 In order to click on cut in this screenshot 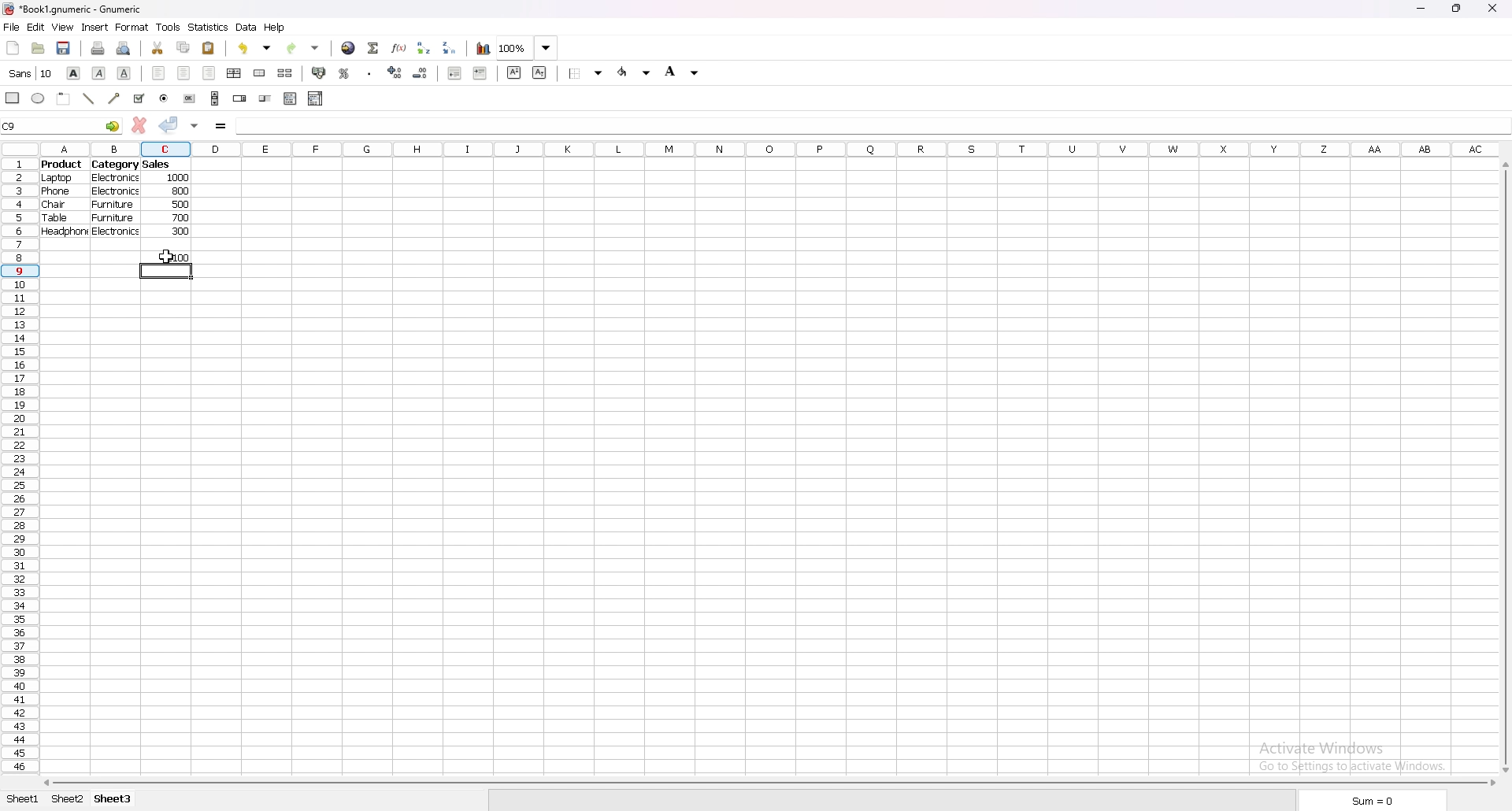, I will do `click(159, 48)`.